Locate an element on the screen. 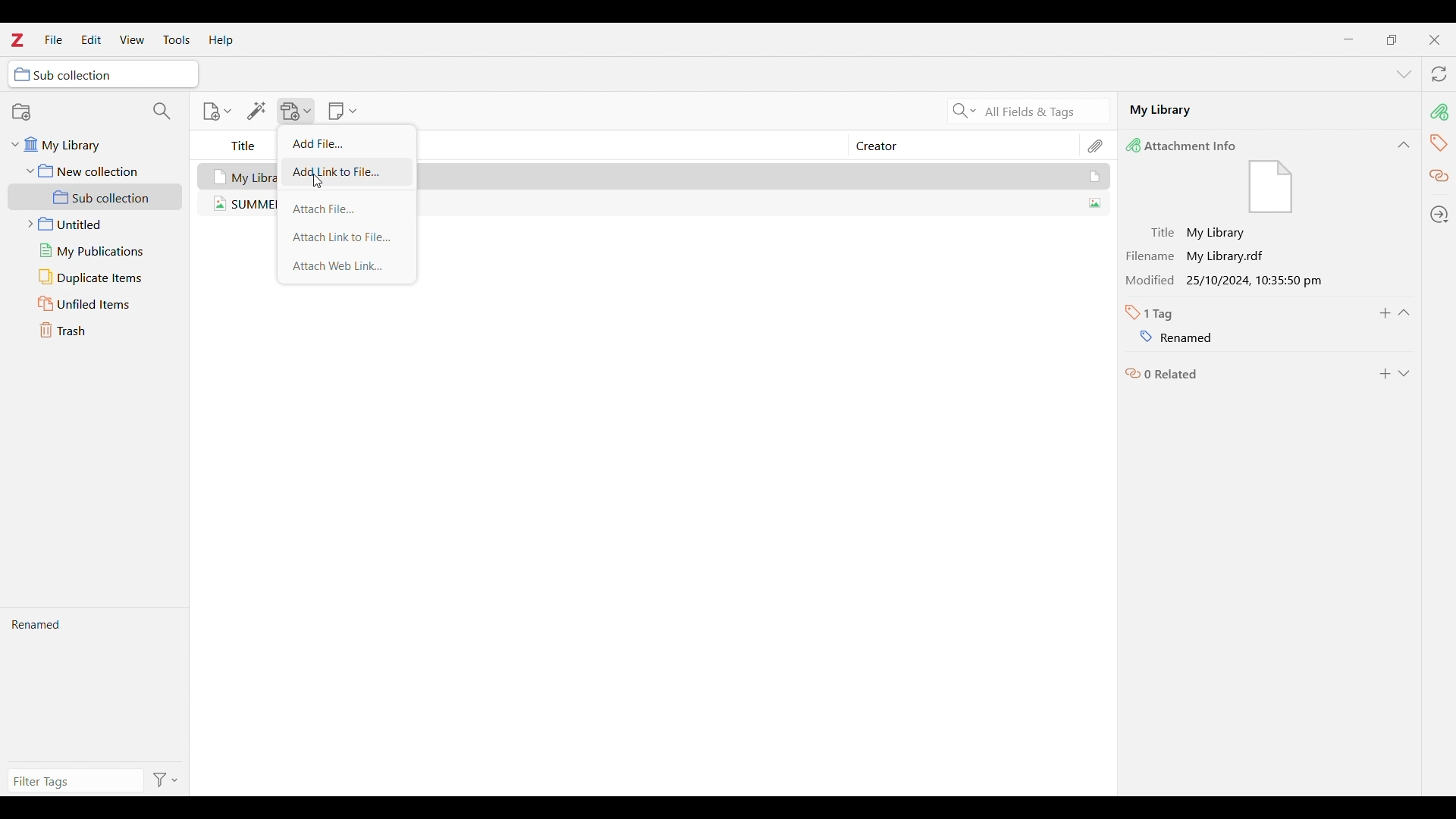 This screenshot has width=1456, height=819. Creator column is located at coordinates (952, 145).